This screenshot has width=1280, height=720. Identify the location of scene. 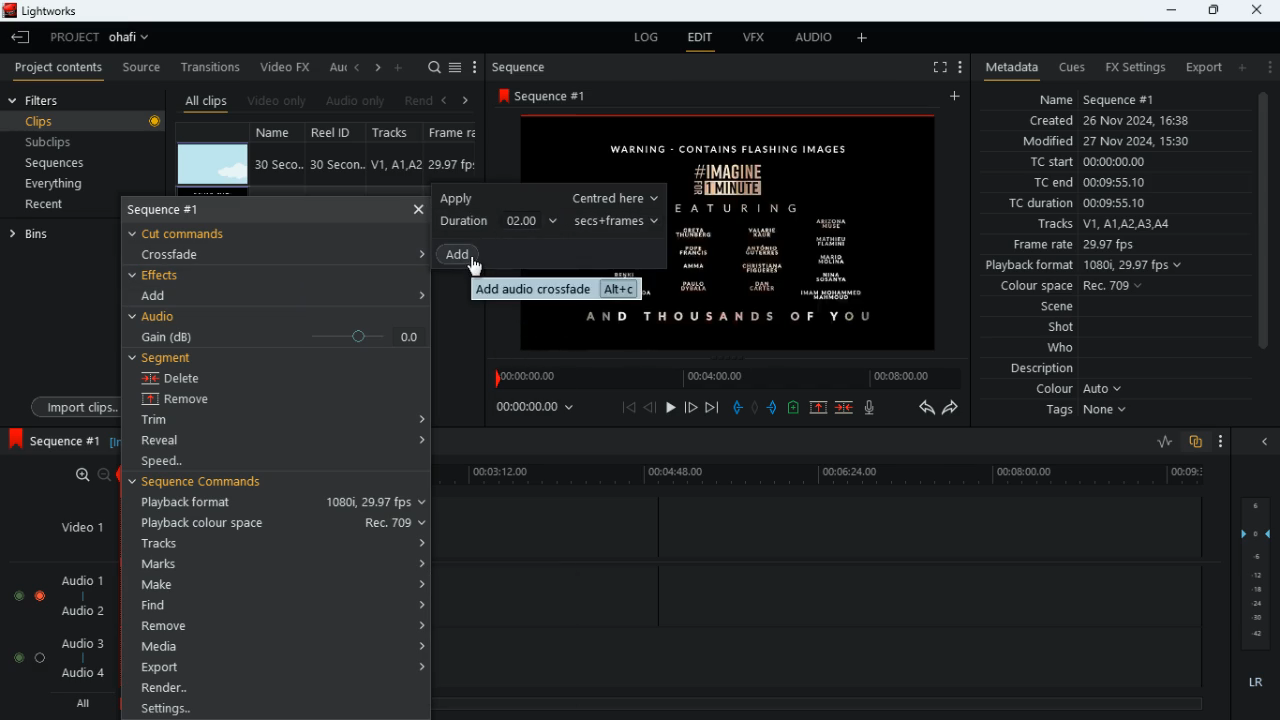
(1058, 308).